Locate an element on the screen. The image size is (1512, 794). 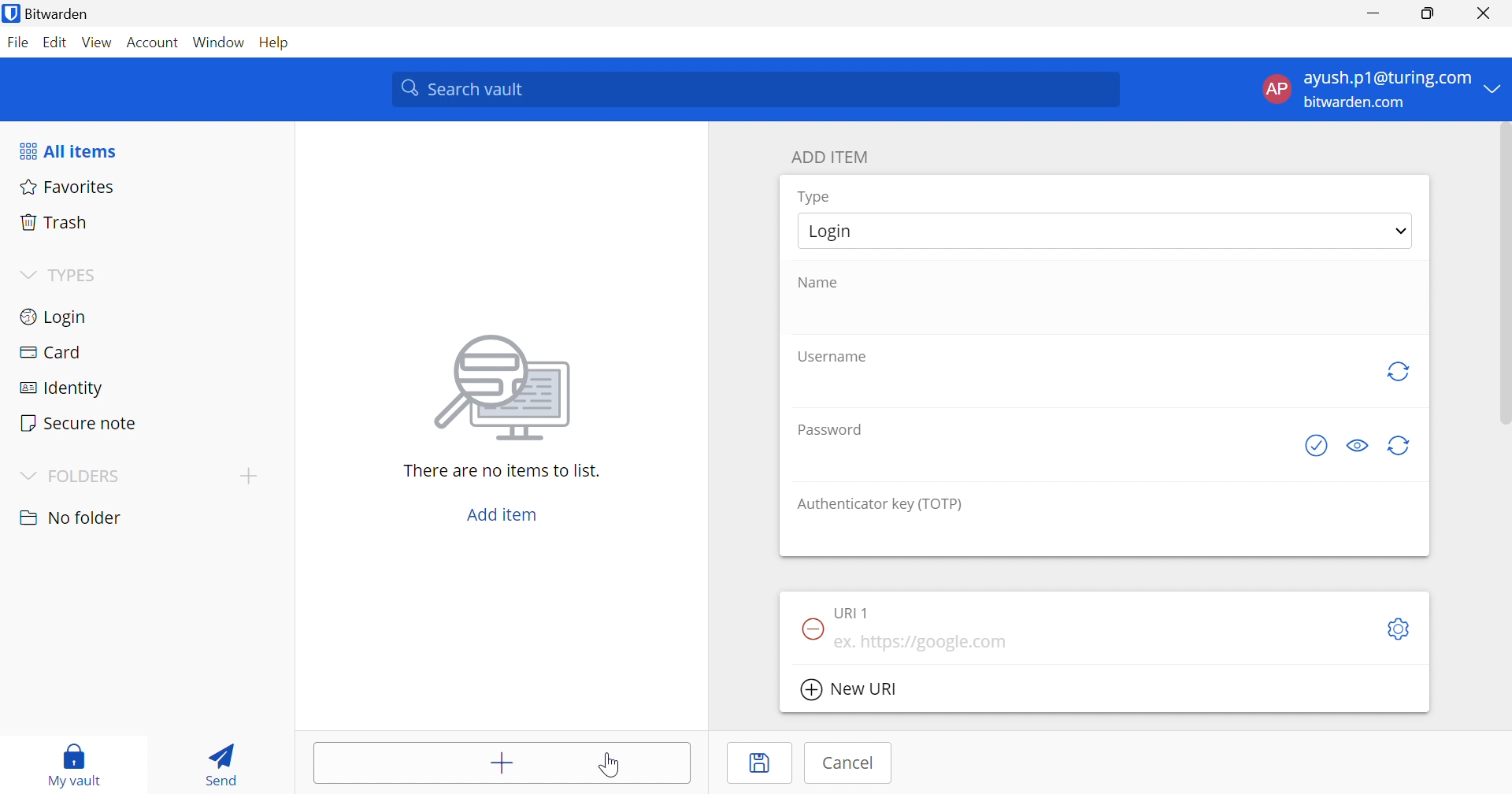
No folder is located at coordinates (73, 518).